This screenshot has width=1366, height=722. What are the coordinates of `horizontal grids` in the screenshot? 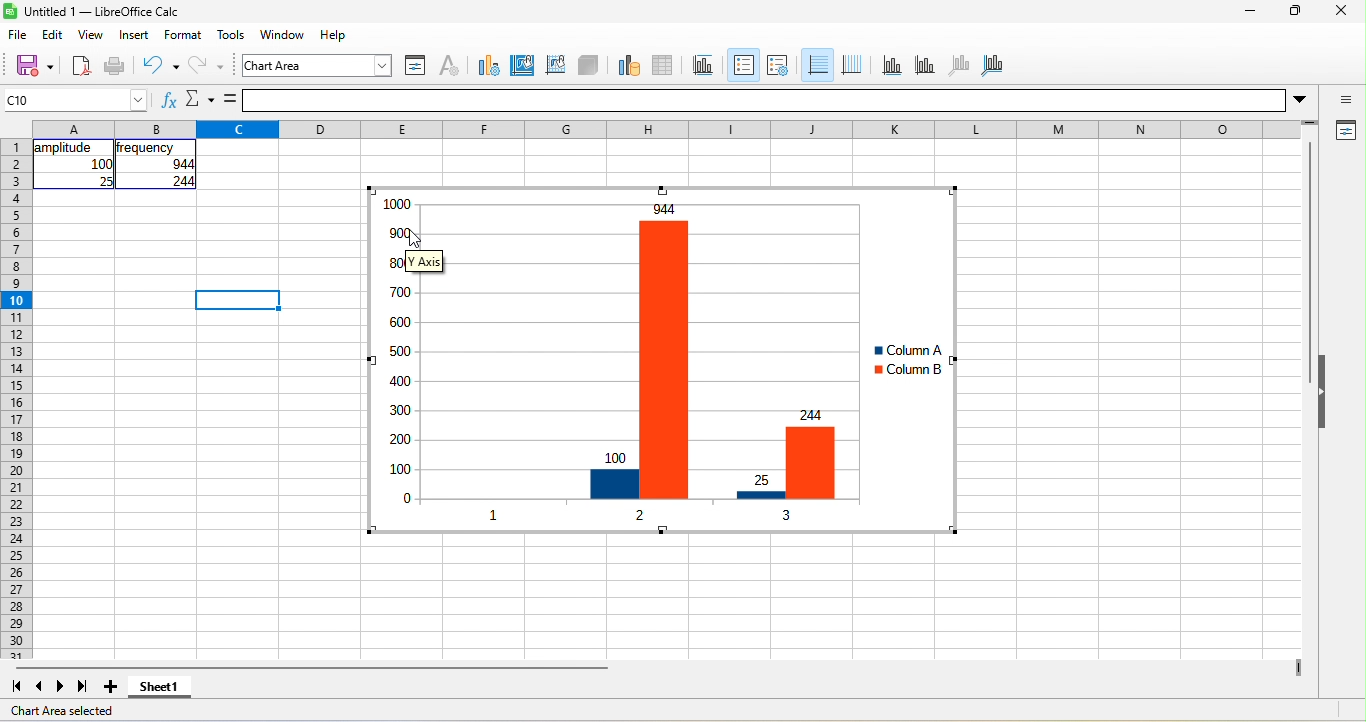 It's located at (816, 66).